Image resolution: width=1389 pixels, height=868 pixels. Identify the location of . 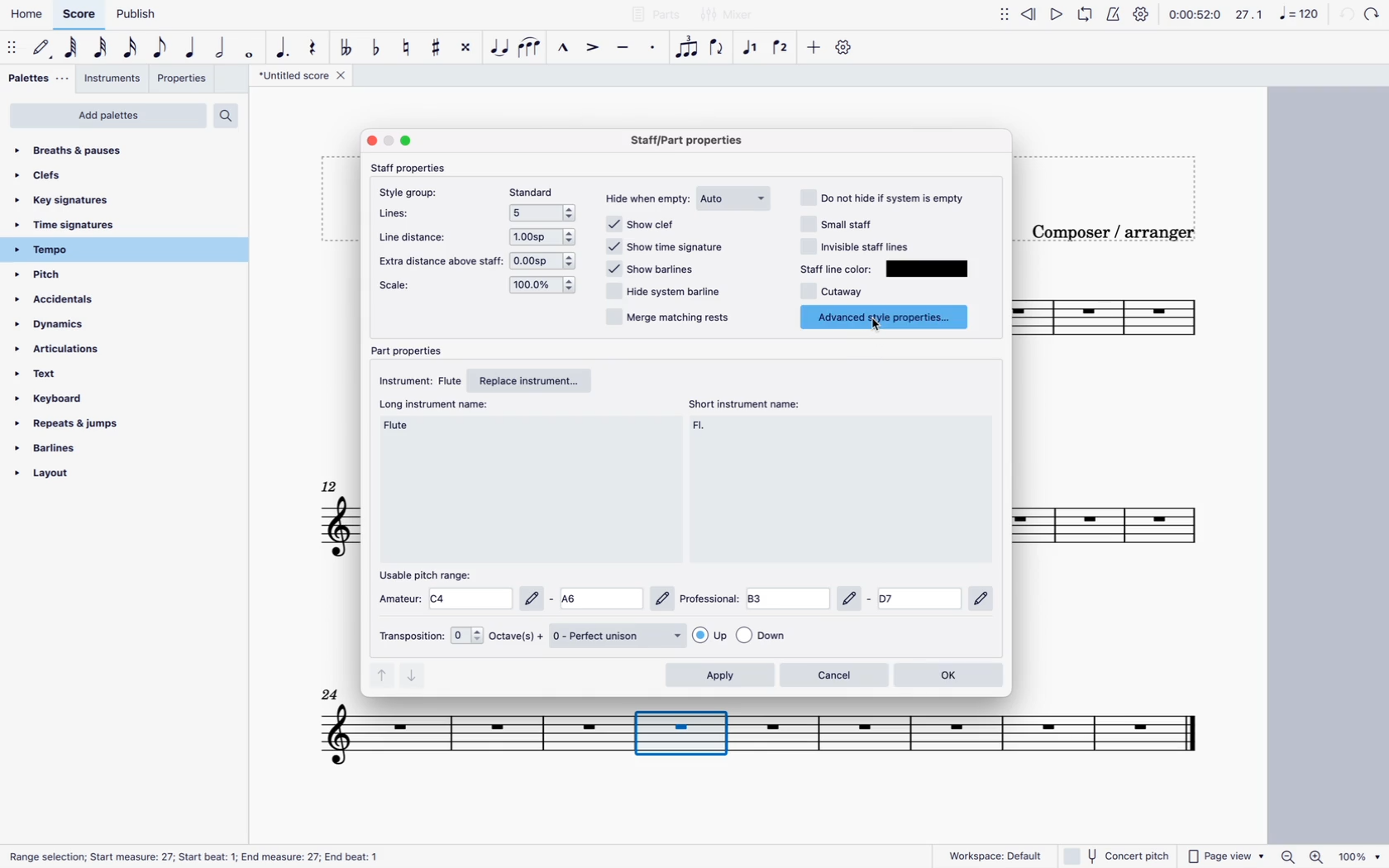
(984, 599).